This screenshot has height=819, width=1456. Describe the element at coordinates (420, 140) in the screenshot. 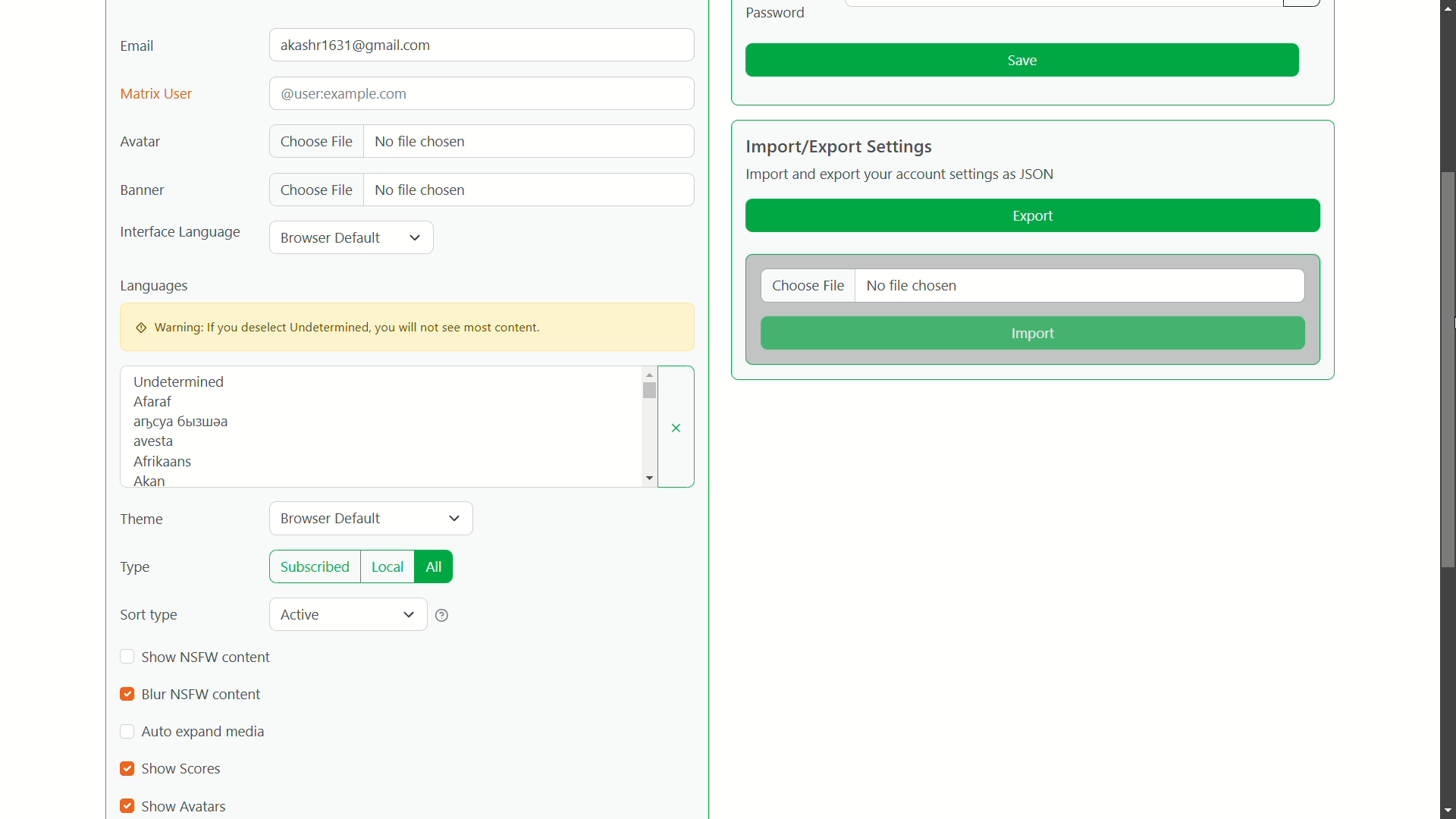

I see `no file chosen` at that location.